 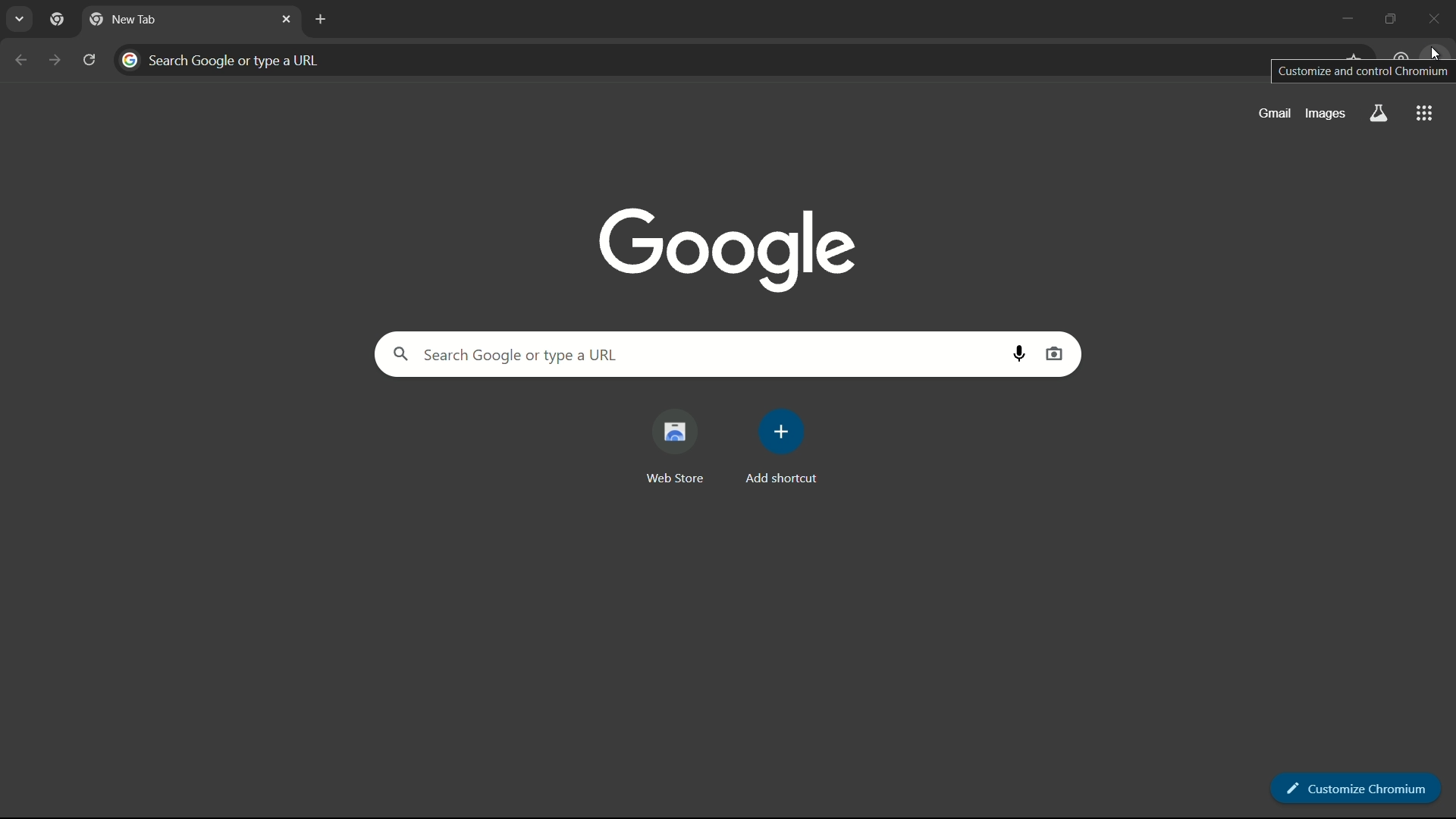 I want to click on google, so click(x=730, y=249).